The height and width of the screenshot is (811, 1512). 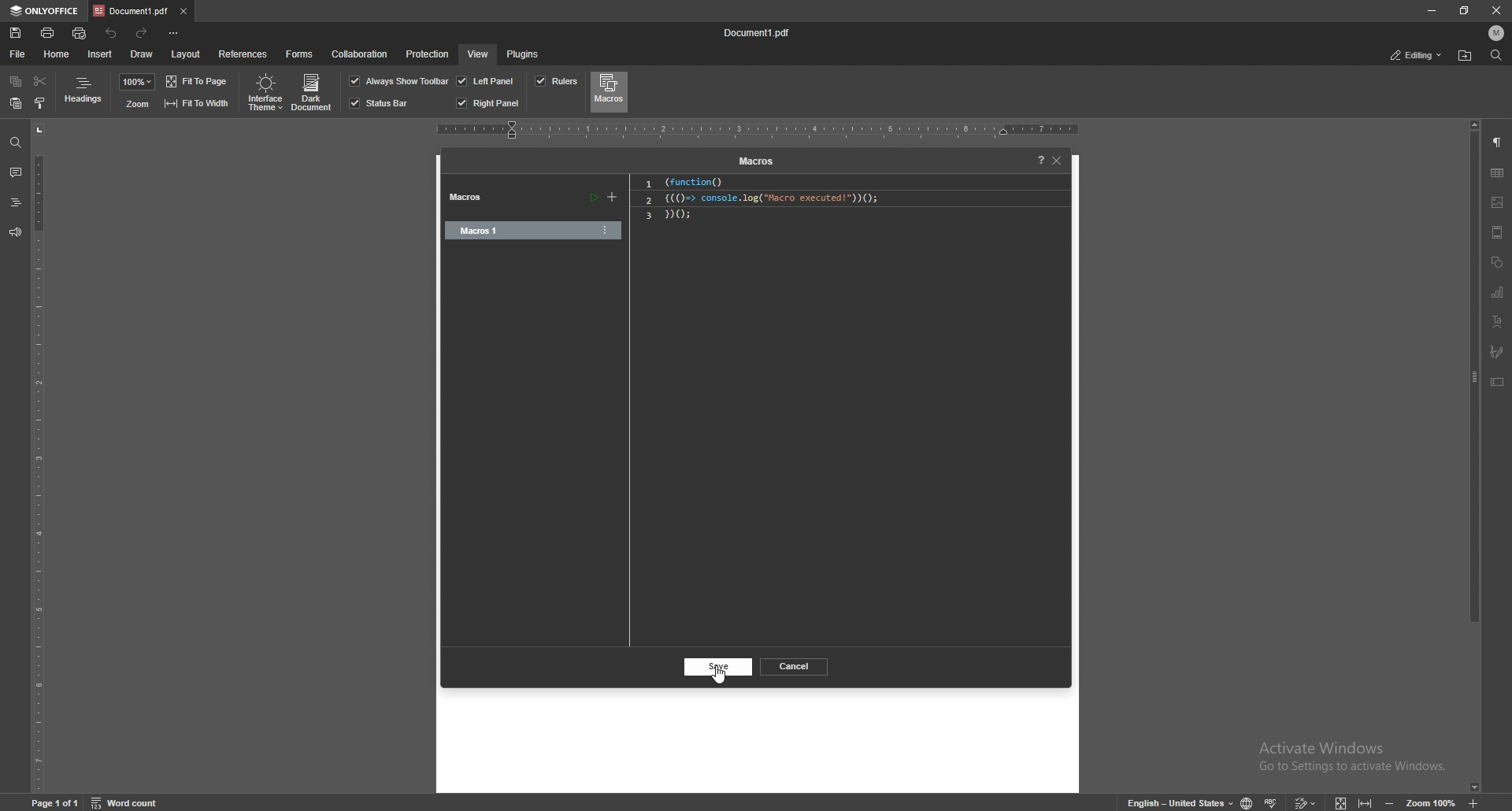 What do you see at coordinates (39, 456) in the screenshot?
I see `vertical scale` at bounding box center [39, 456].